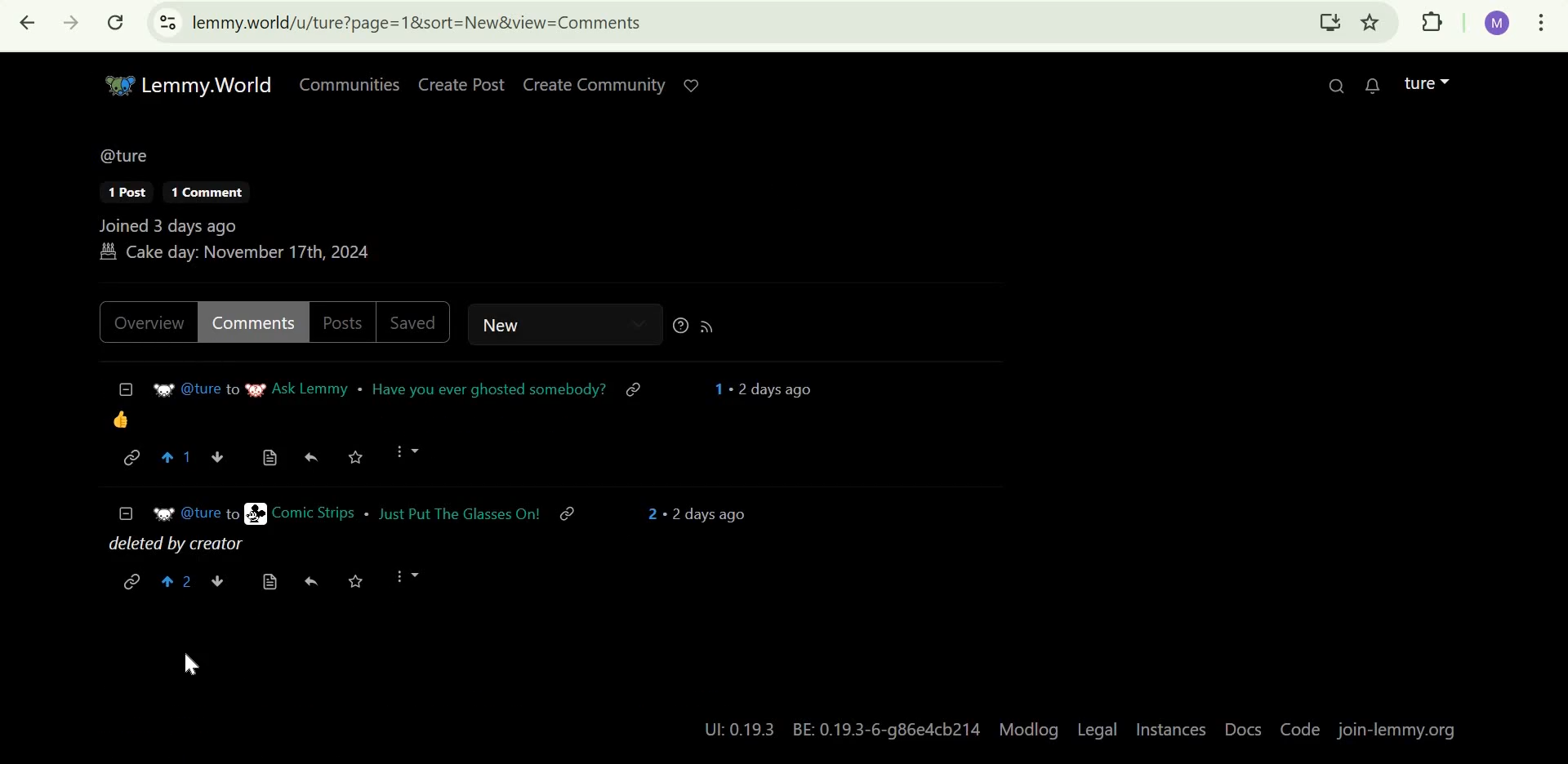 This screenshot has width=1568, height=764. I want to click on RSS, so click(710, 324).